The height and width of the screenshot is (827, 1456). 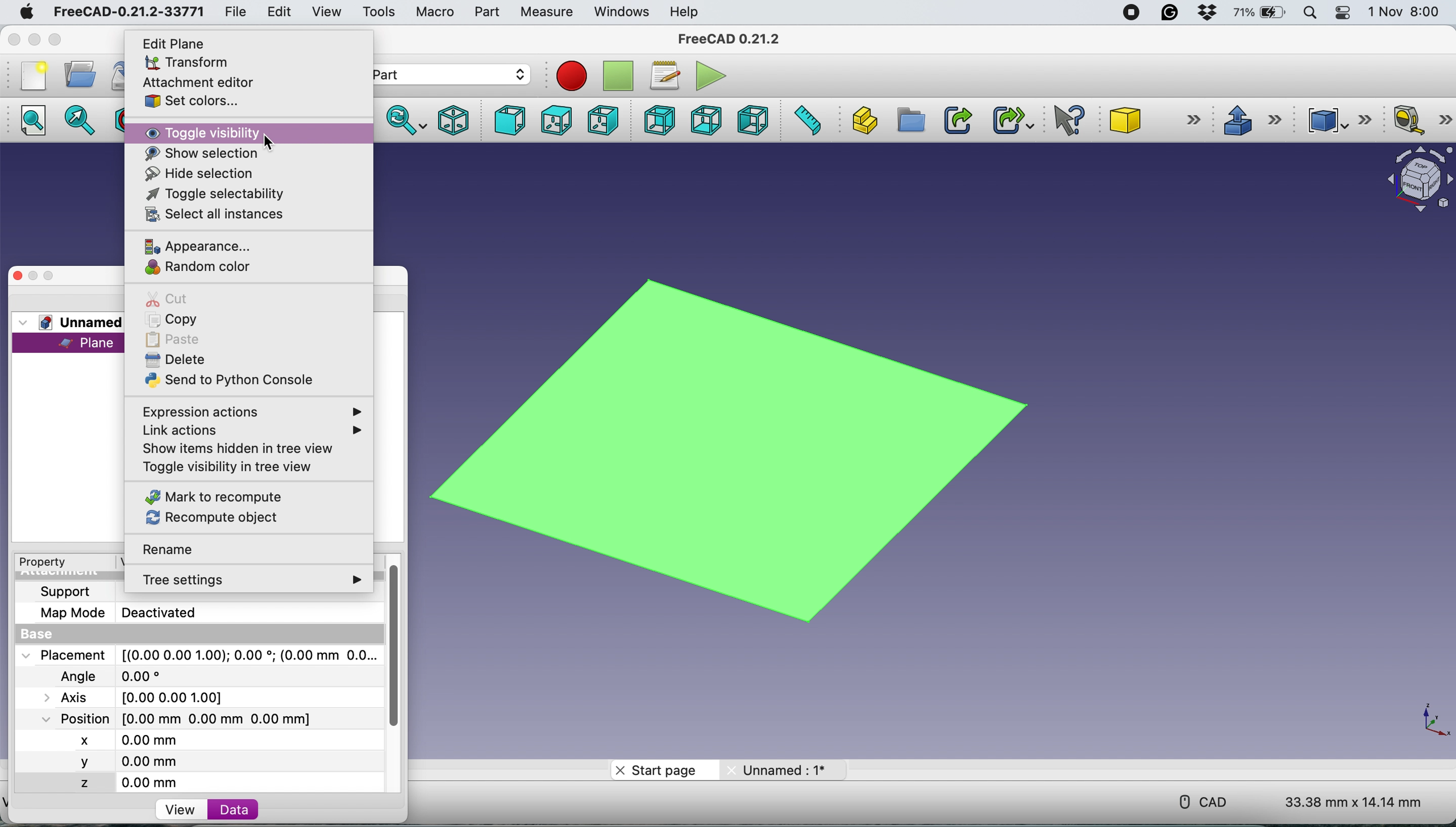 I want to click on attachment editor, so click(x=196, y=83).